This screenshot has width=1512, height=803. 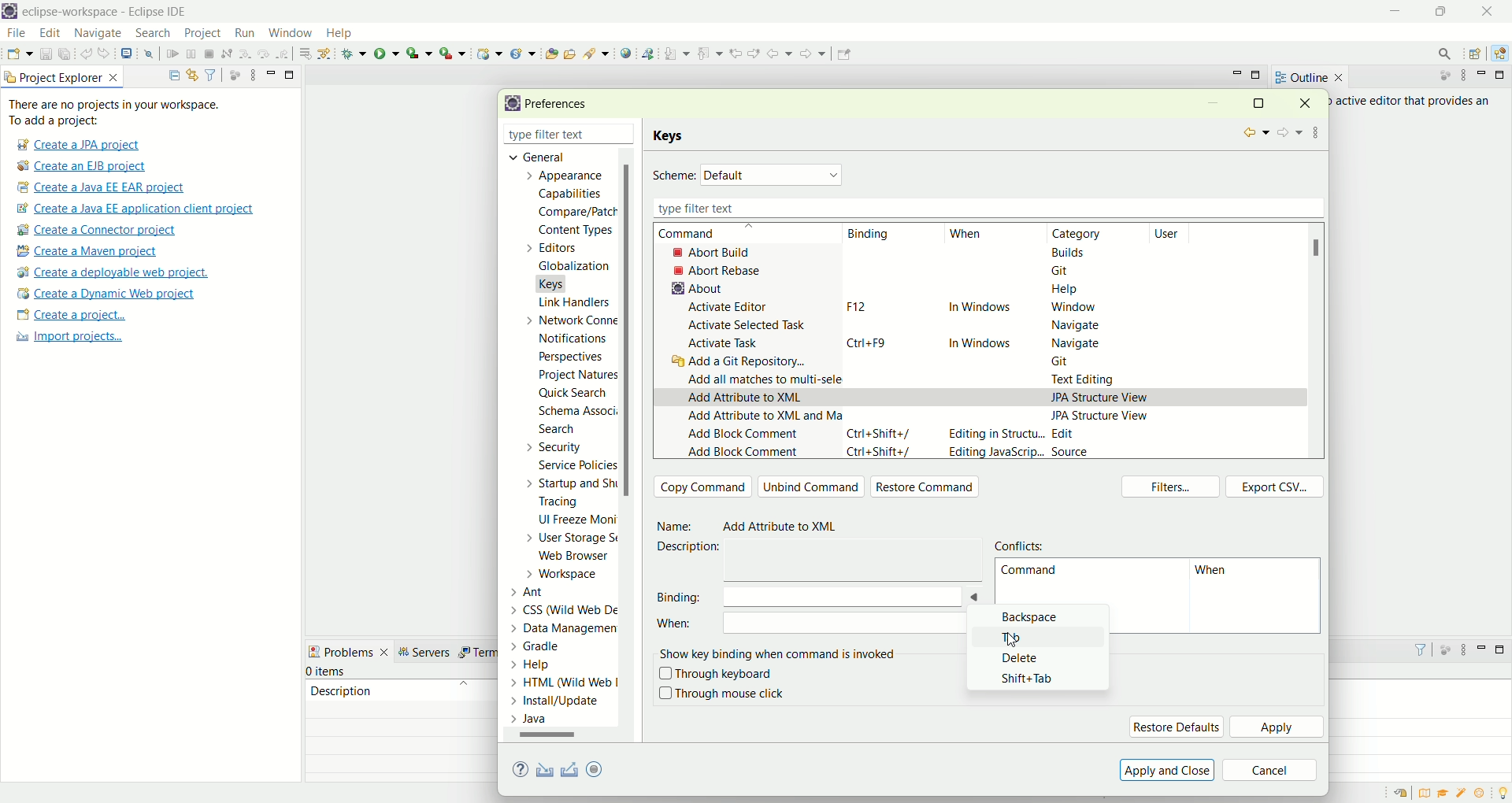 What do you see at coordinates (428, 652) in the screenshot?
I see `servers` at bounding box center [428, 652].